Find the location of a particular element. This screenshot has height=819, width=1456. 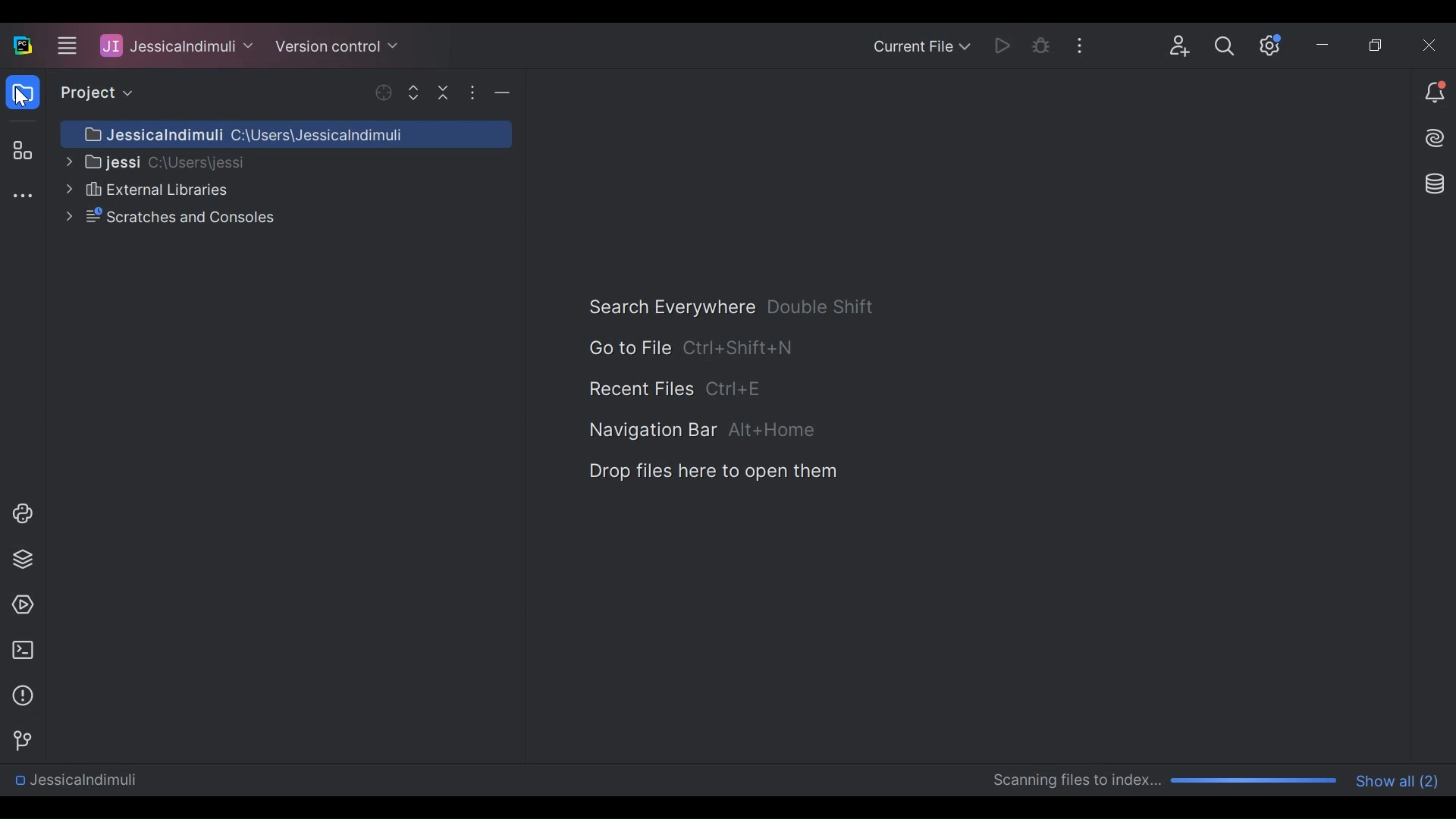

Settings is located at coordinates (1269, 45).